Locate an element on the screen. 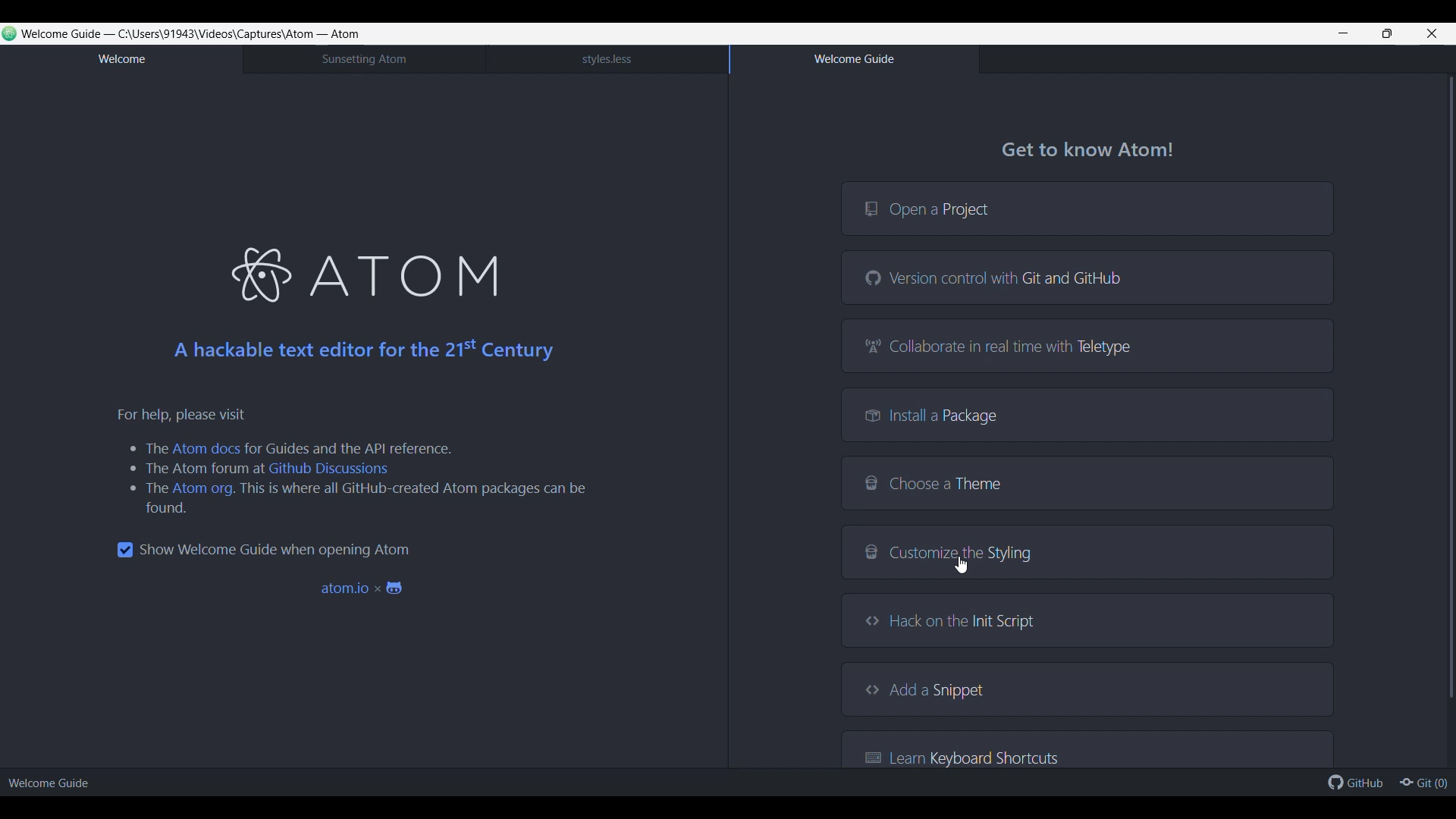  this is where all GitHub-created Atom packages can be is located at coordinates (420, 491).